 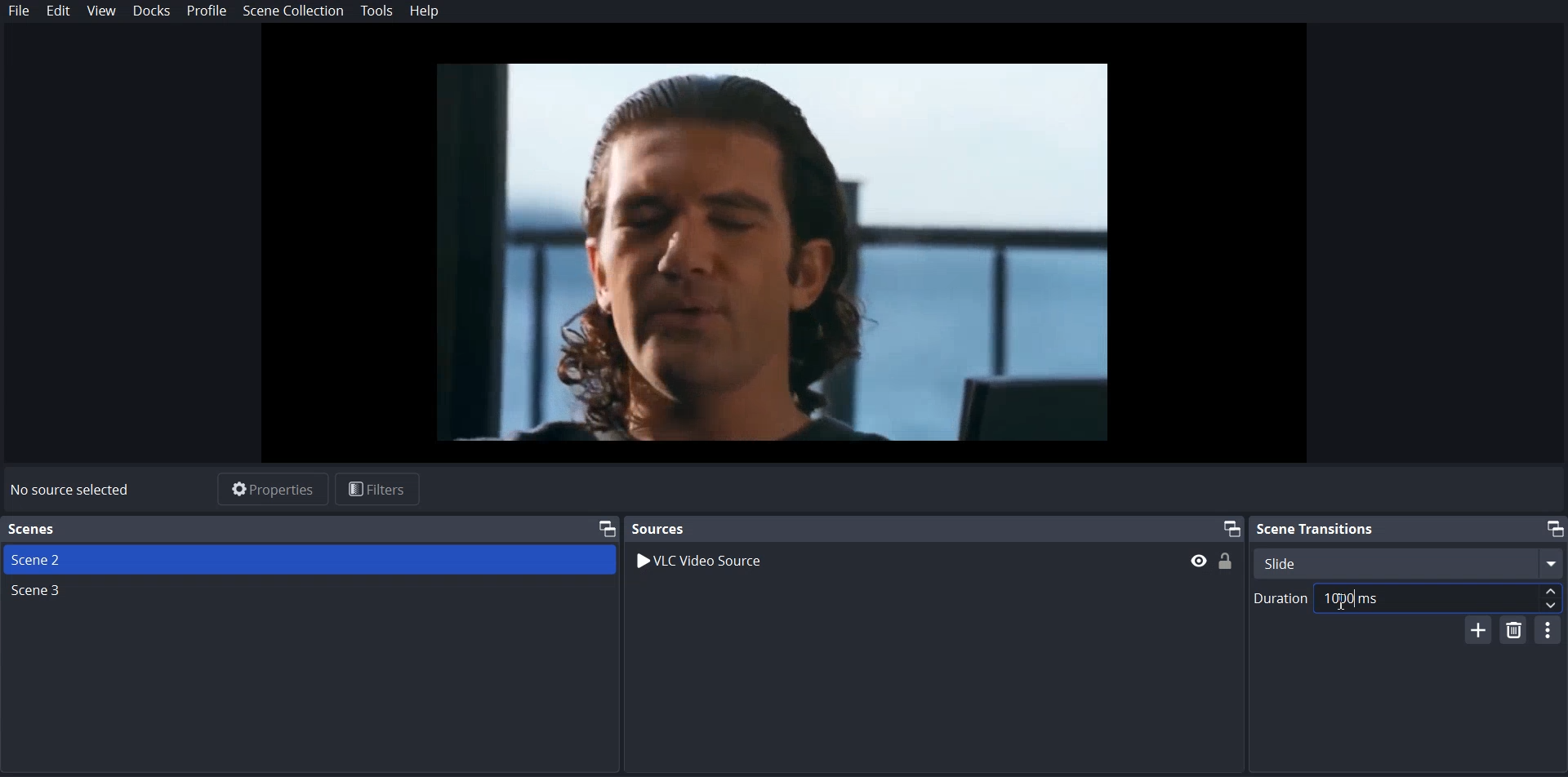 I want to click on Tools, so click(x=377, y=11).